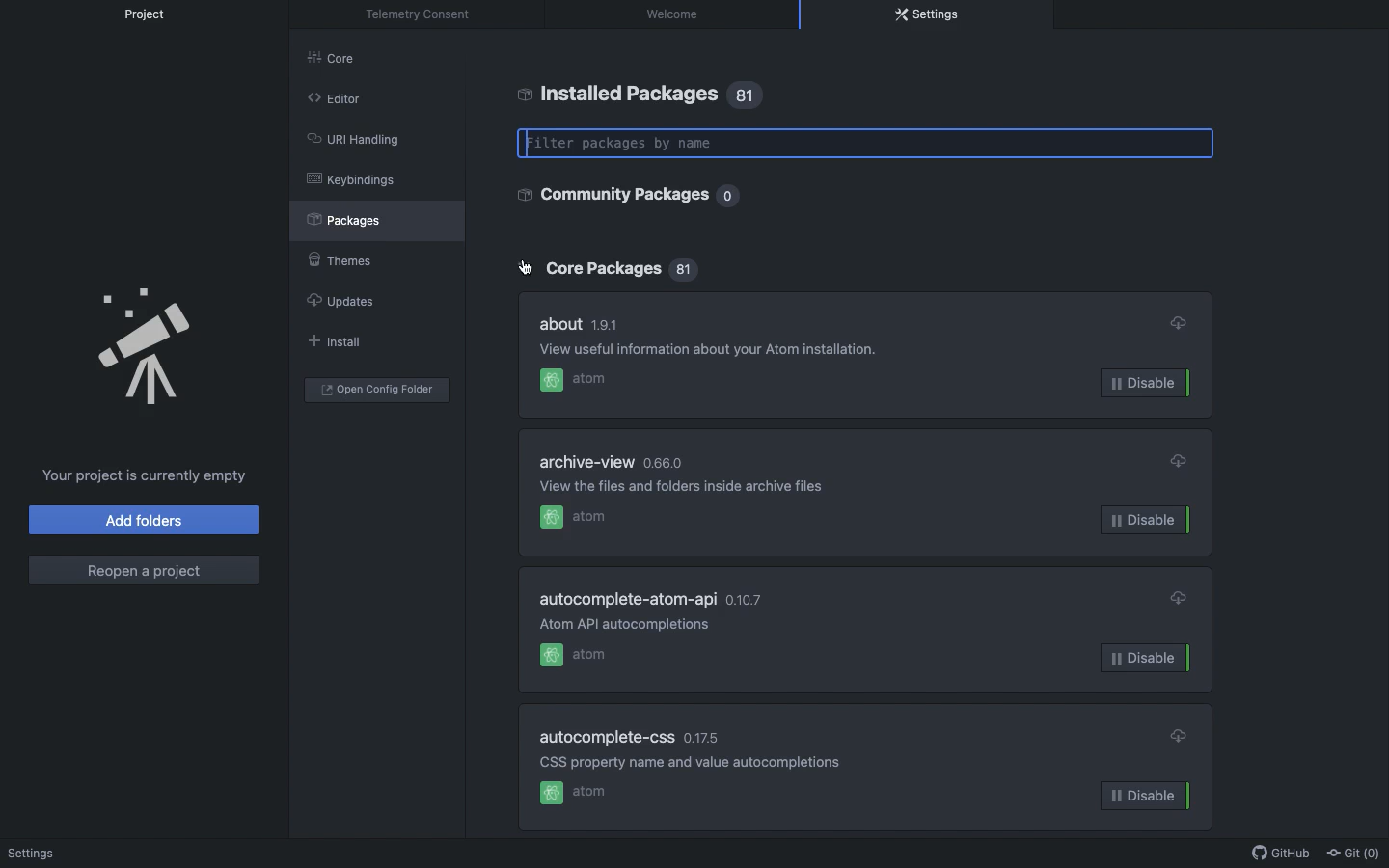 This screenshot has width=1389, height=868. I want to click on Editor, so click(334, 96).